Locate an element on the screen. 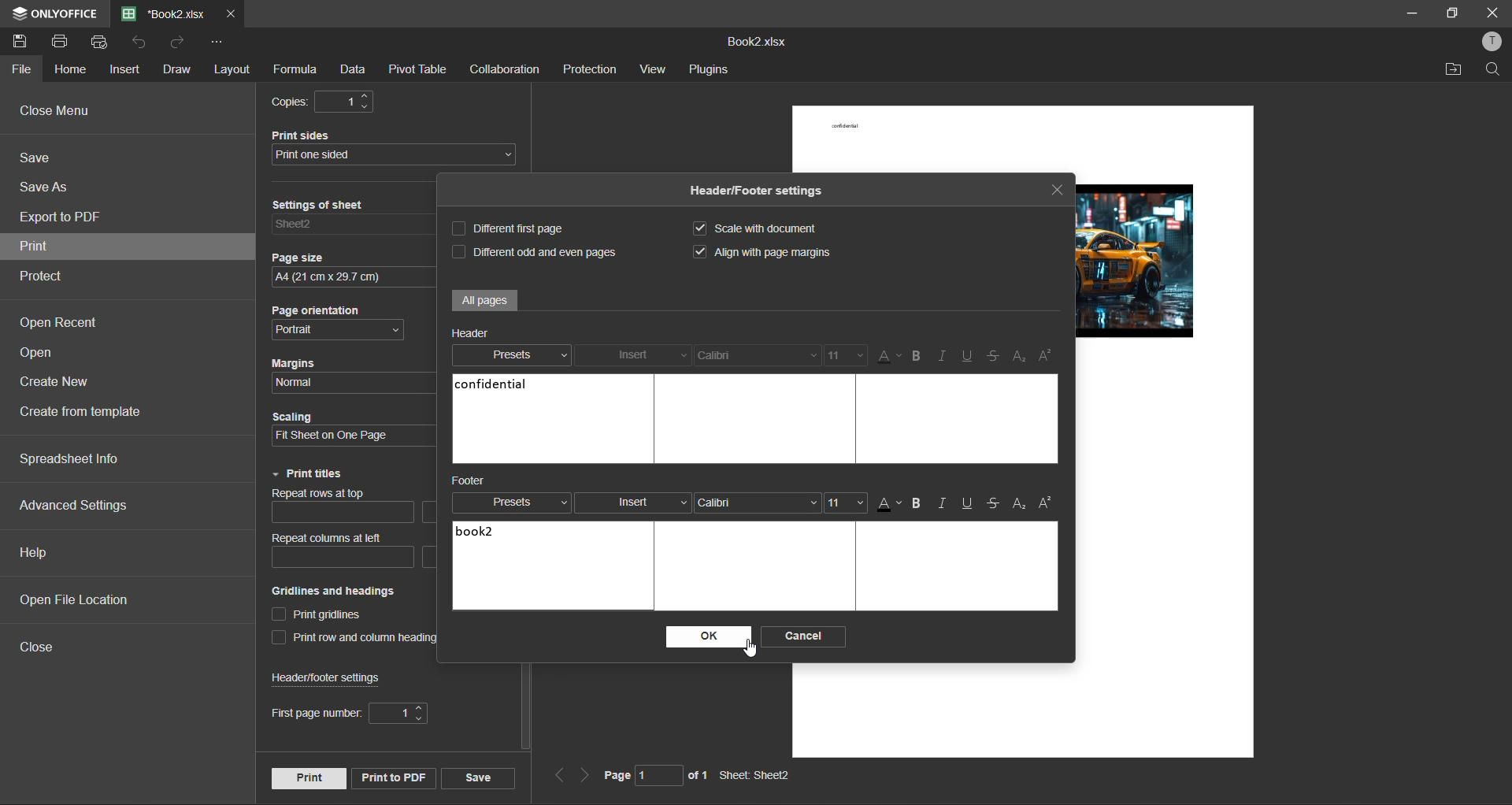 Image resolution: width=1512 pixels, height=805 pixels. page 1 of 1 is located at coordinates (656, 777).